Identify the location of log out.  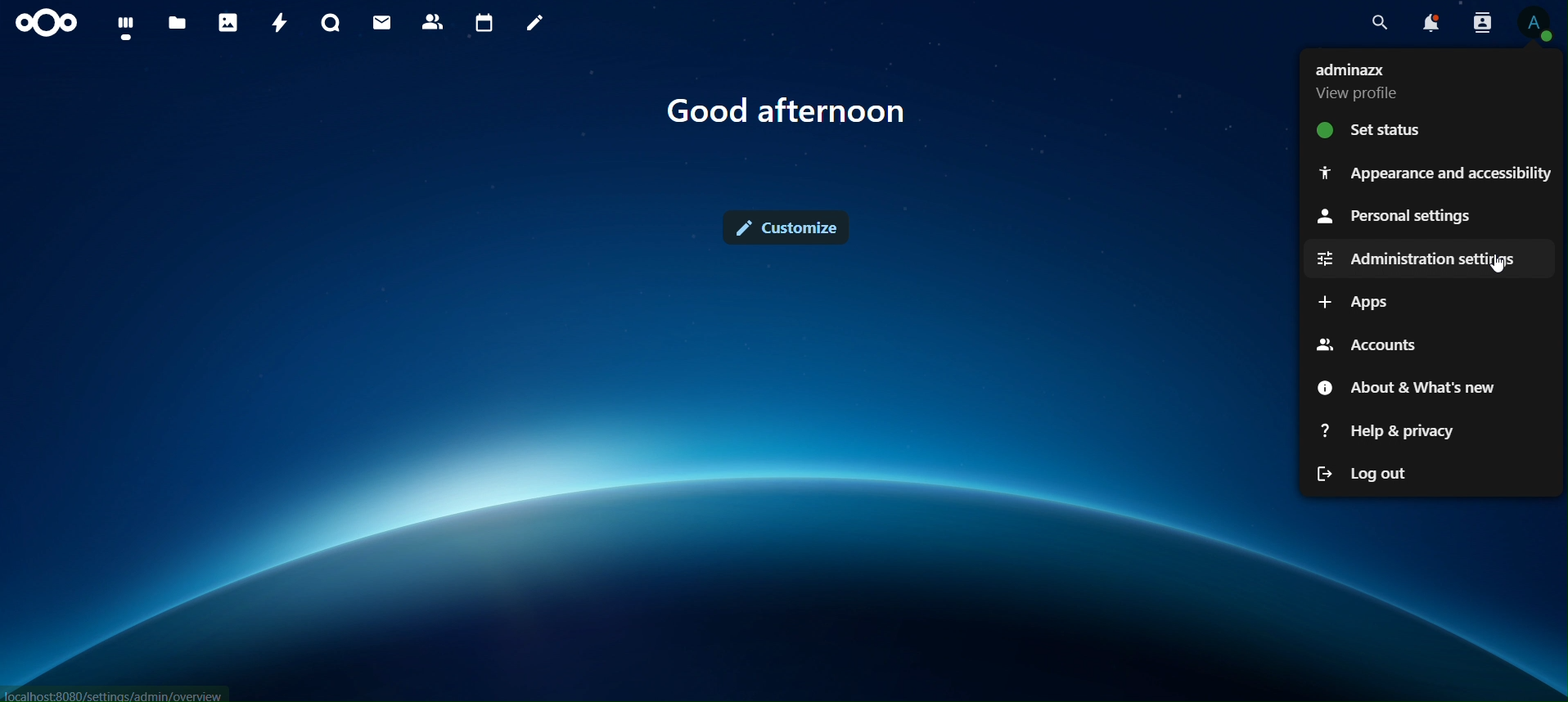
(1365, 472).